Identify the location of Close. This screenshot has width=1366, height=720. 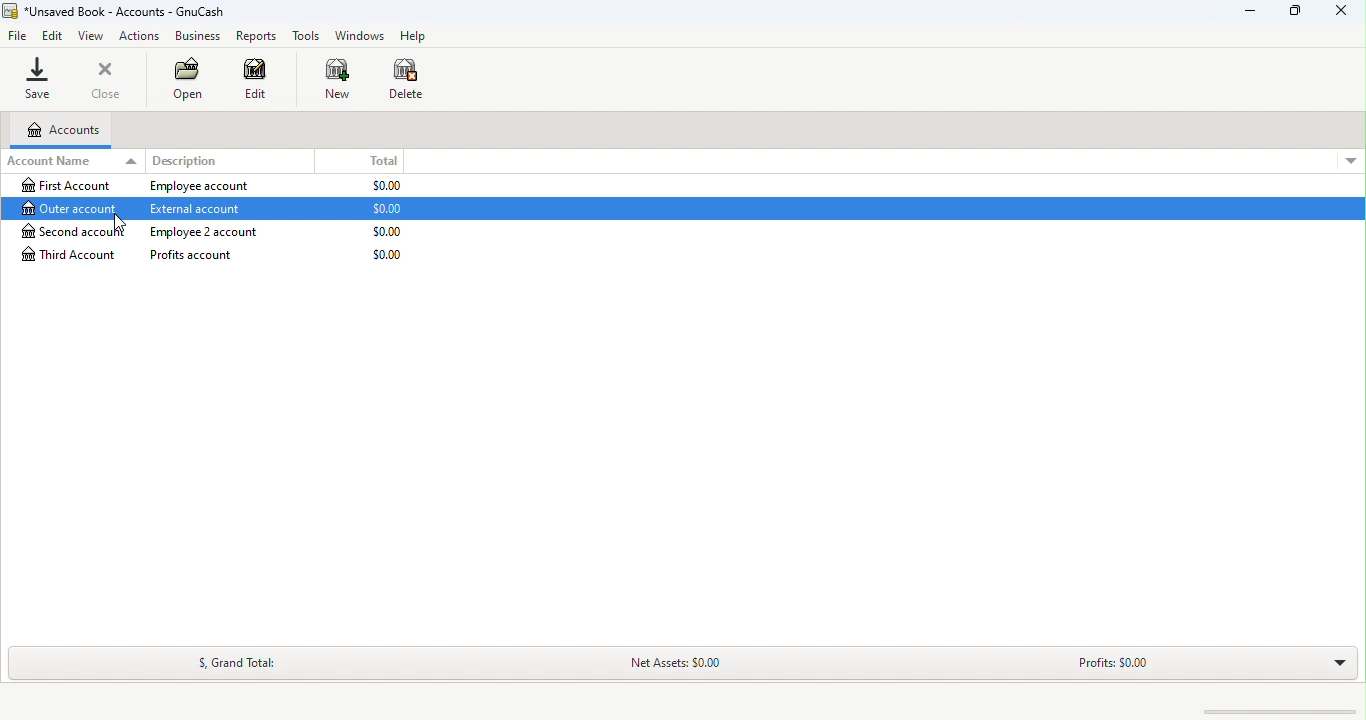
(105, 78).